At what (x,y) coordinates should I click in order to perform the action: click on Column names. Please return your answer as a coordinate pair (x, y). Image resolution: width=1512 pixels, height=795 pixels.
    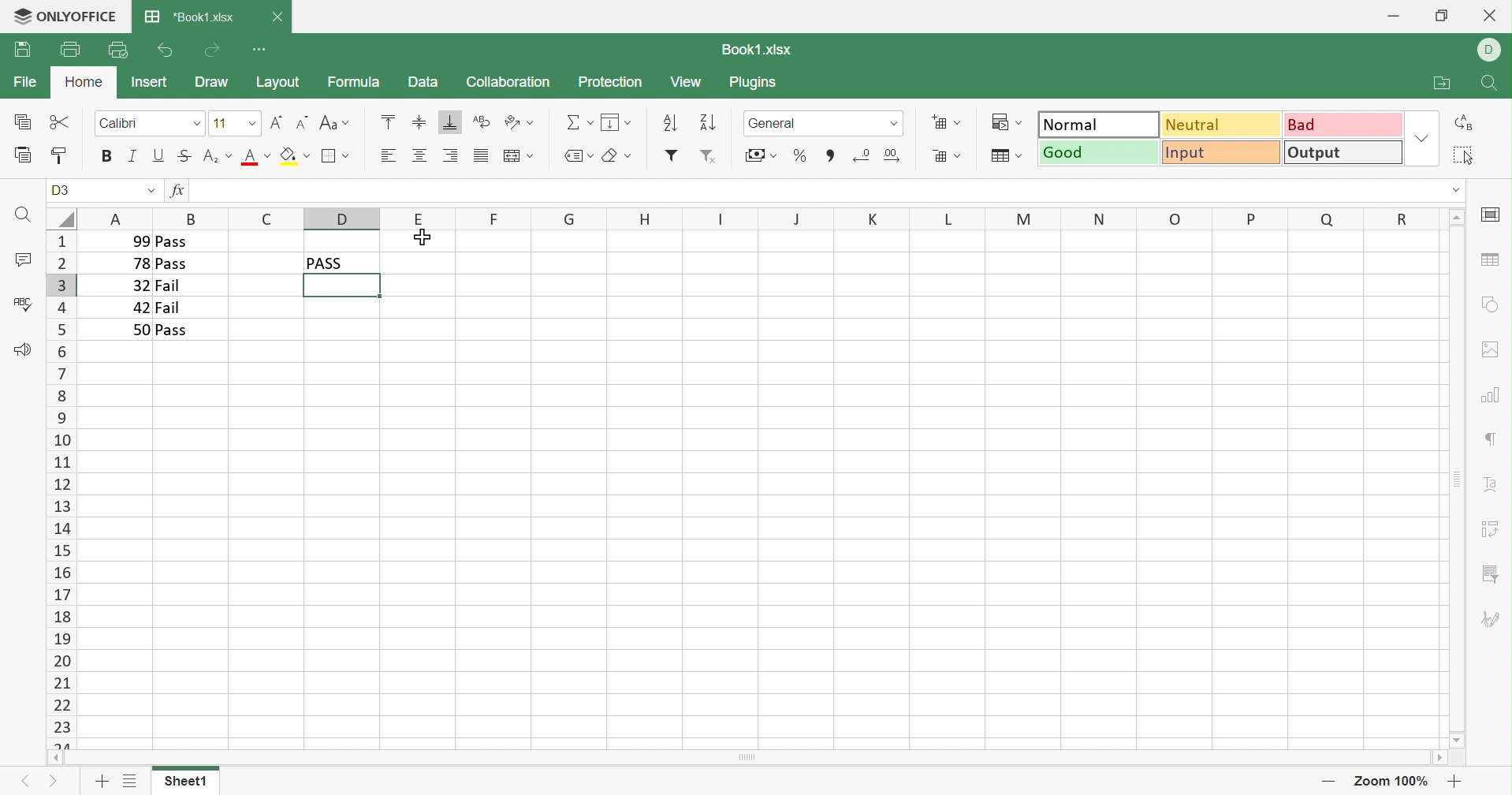
    Looking at the image, I should click on (761, 218).